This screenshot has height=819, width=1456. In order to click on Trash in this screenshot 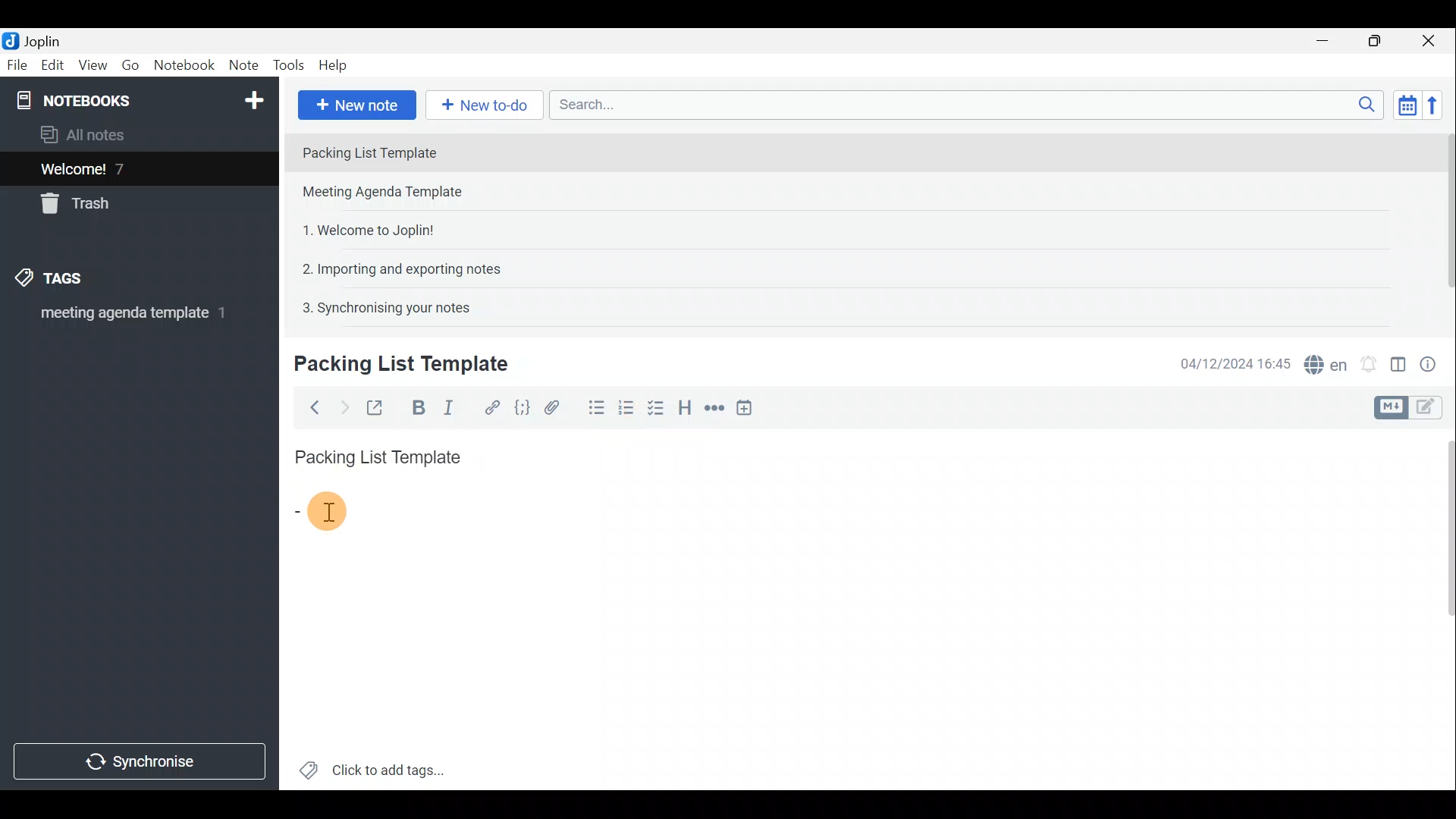, I will do `click(81, 206)`.